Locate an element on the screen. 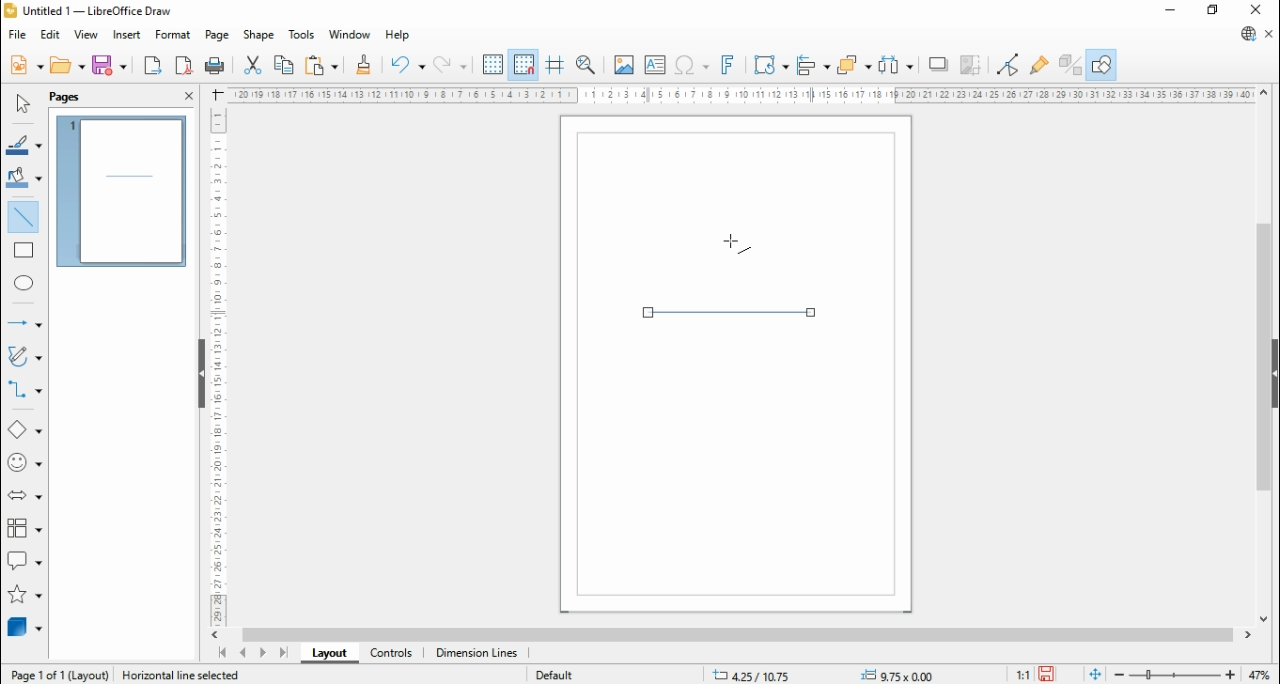  print is located at coordinates (218, 67).